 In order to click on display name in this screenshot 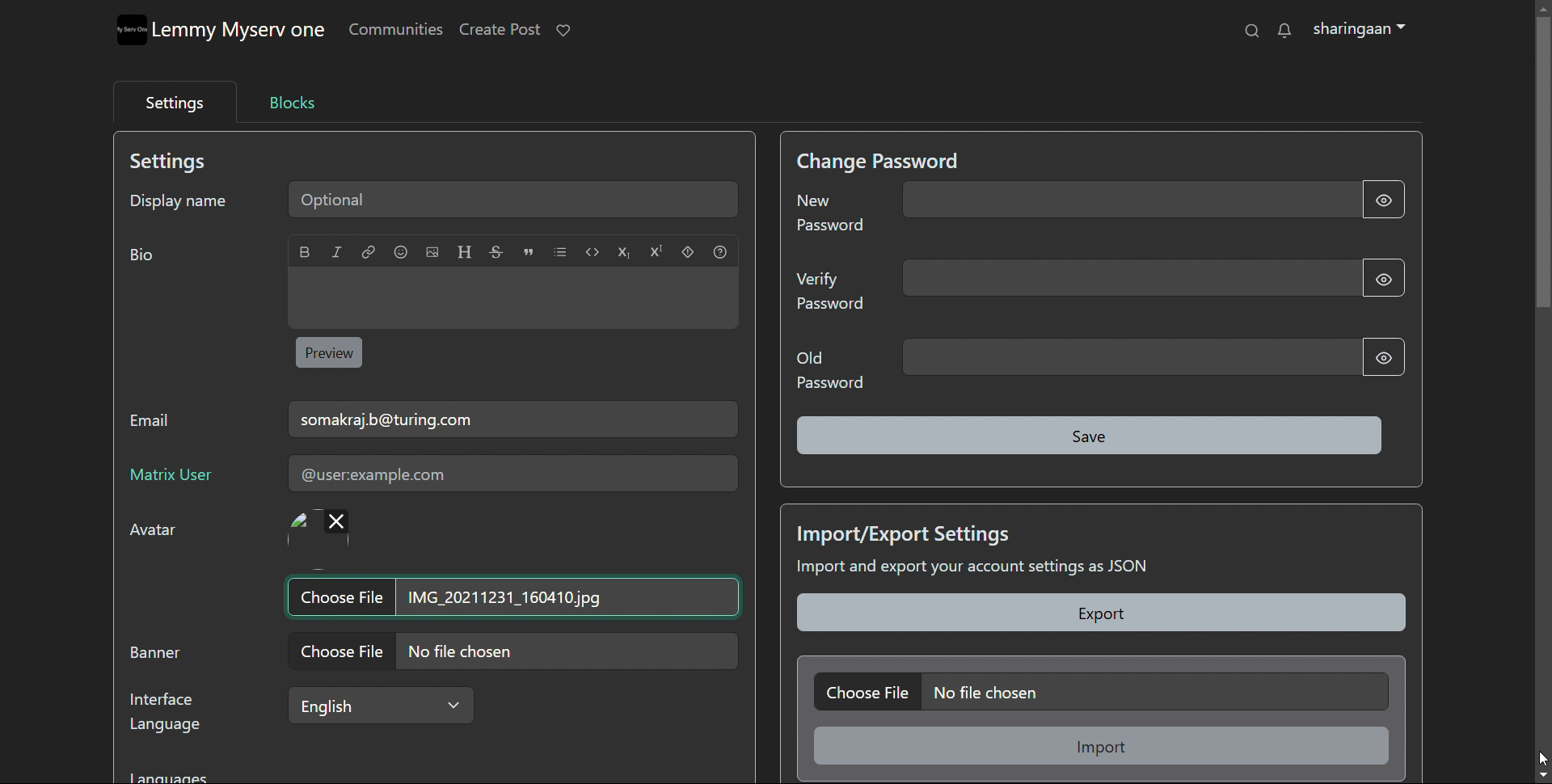, I will do `click(179, 198)`.